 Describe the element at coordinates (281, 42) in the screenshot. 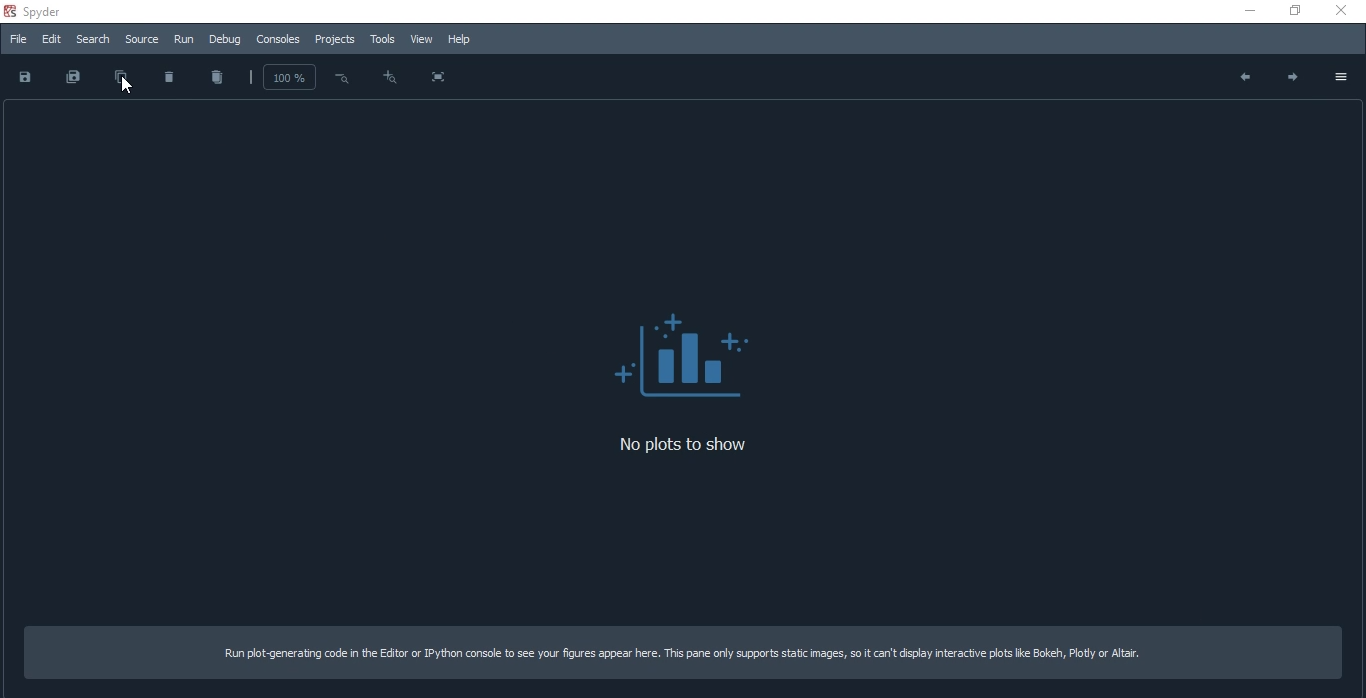

I see `Consoles` at that location.